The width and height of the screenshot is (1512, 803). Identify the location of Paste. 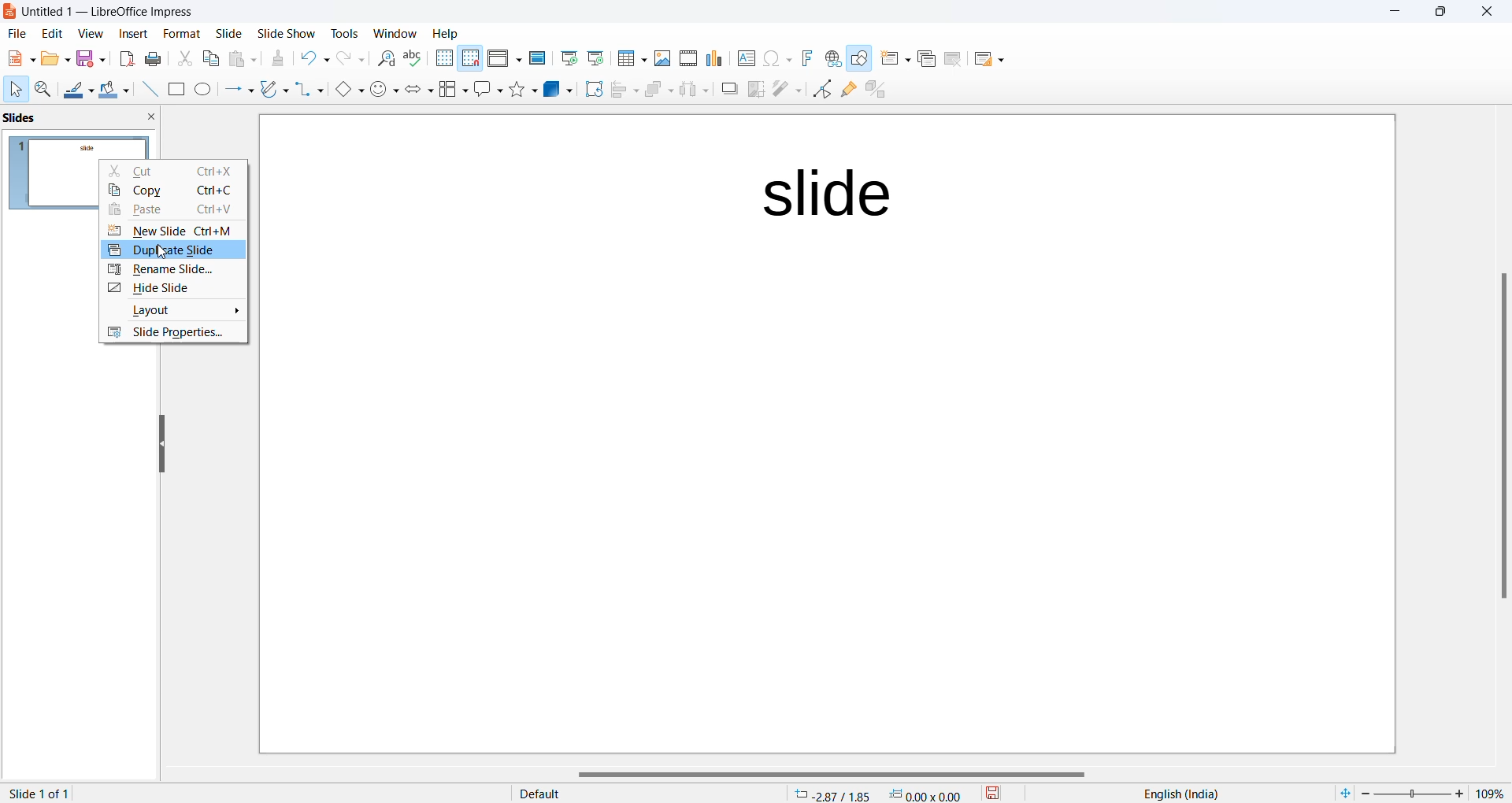
(174, 209).